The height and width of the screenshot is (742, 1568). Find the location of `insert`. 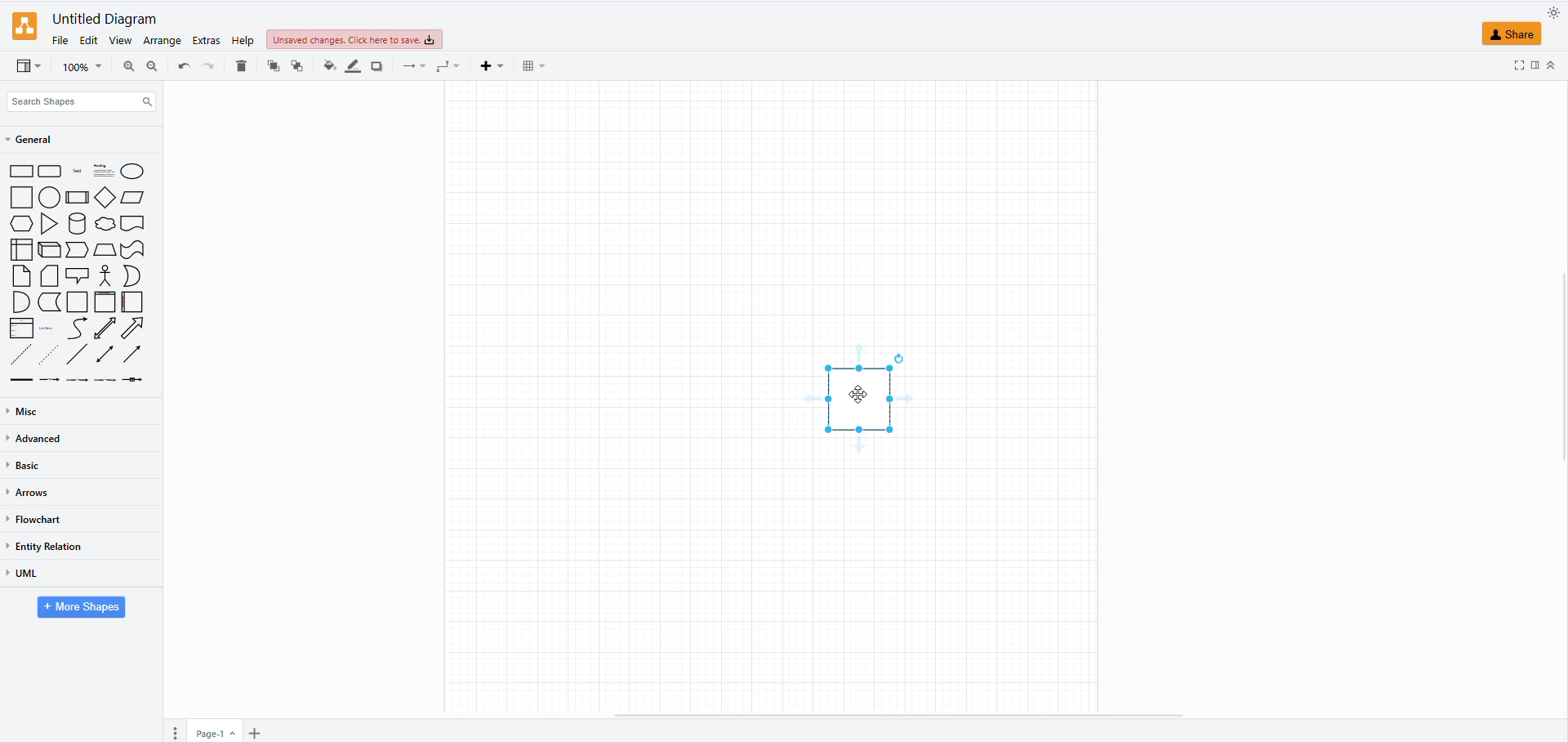

insert is located at coordinates (495, 66).